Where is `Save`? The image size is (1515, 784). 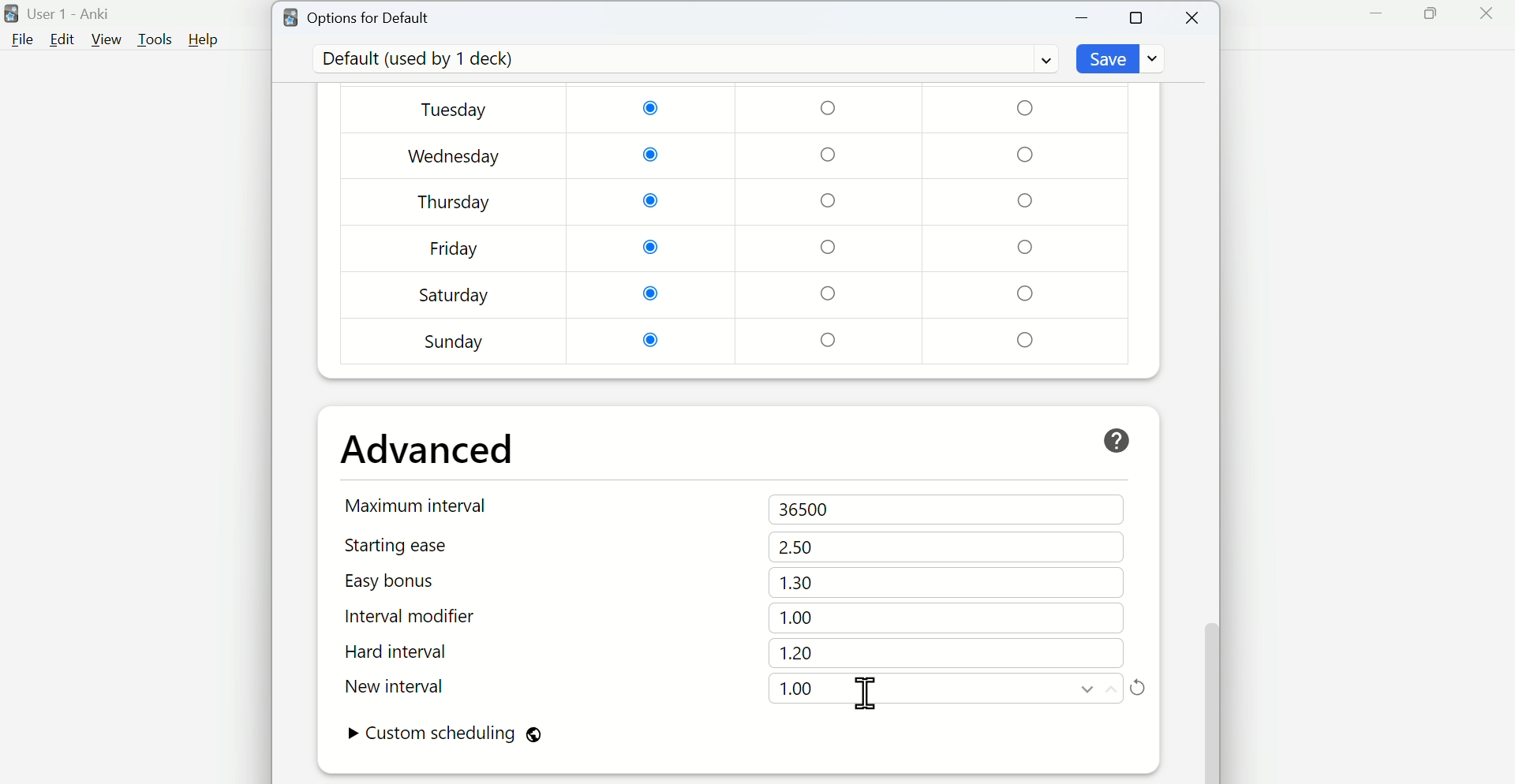 Save is located at coordinates (1123, 58).